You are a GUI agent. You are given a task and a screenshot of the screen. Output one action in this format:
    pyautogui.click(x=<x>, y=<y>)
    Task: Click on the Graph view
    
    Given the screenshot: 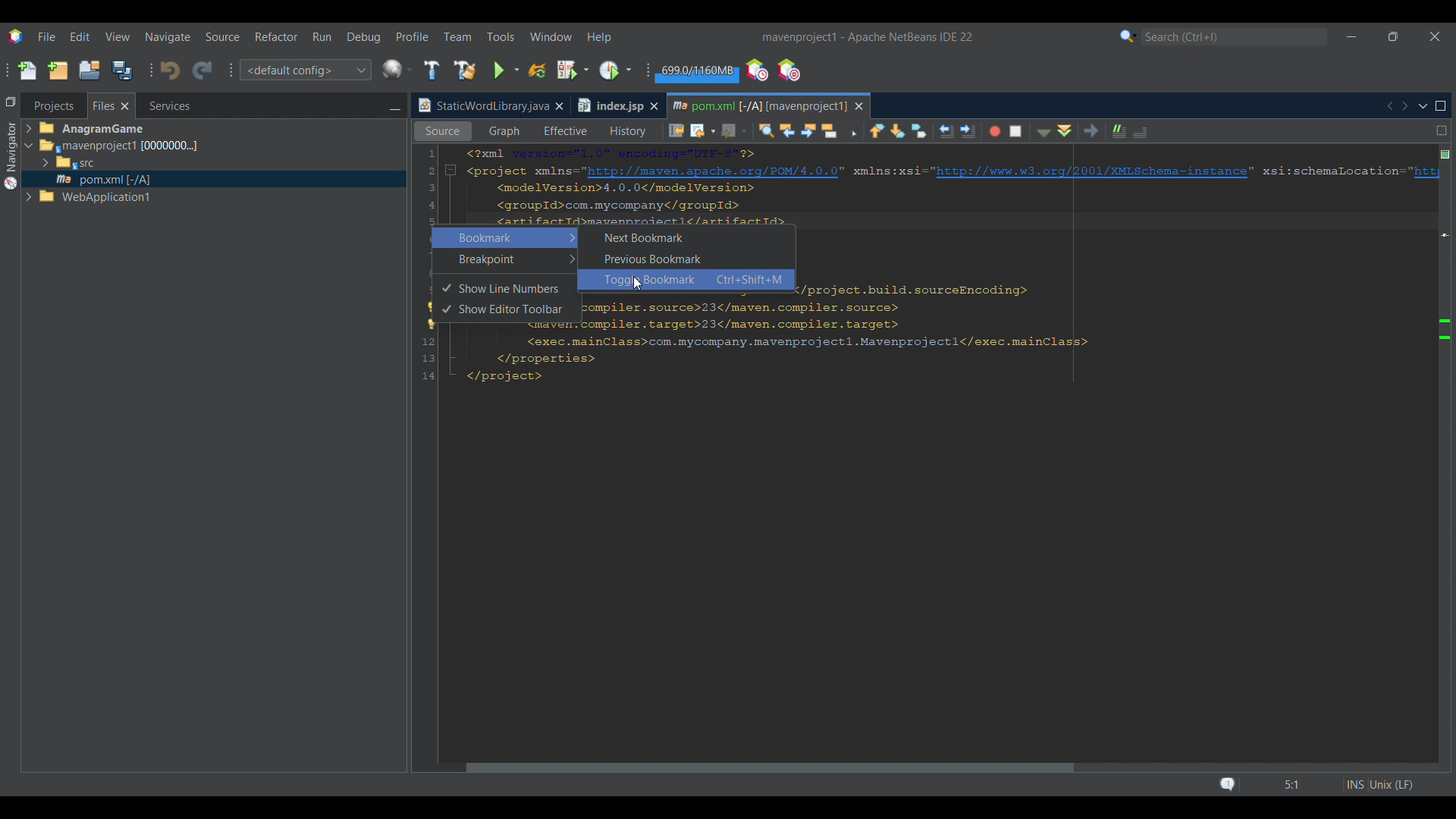 What is the action you would take?
    pyautogui.click(x=503, y=131)
    